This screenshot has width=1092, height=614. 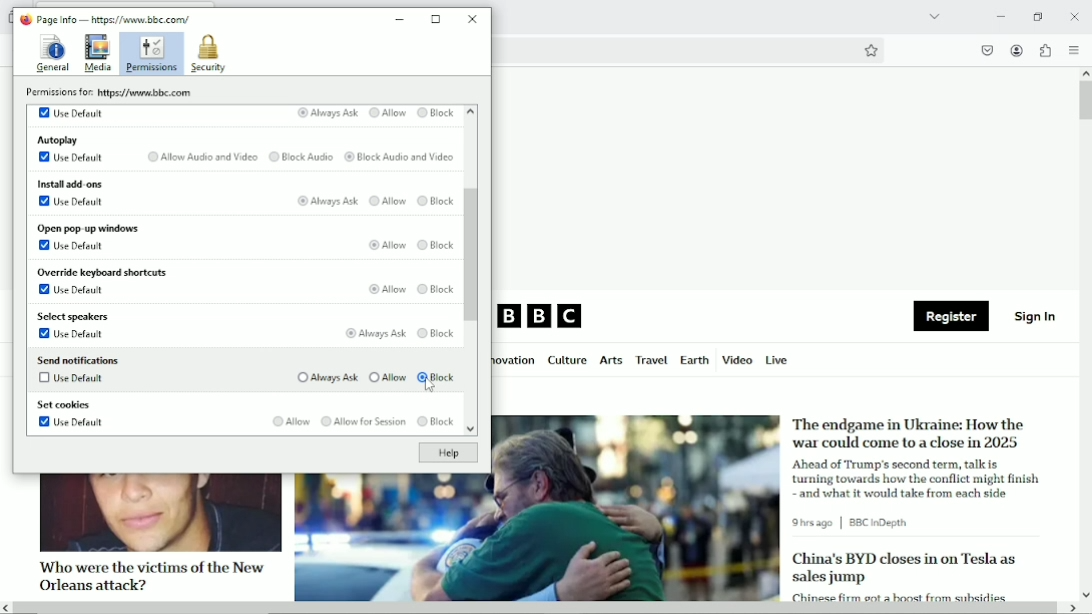 What do you see at coordinates (69, 182) in the screenshot?
I see `Install add -ons` at bounding box center [69, 182].